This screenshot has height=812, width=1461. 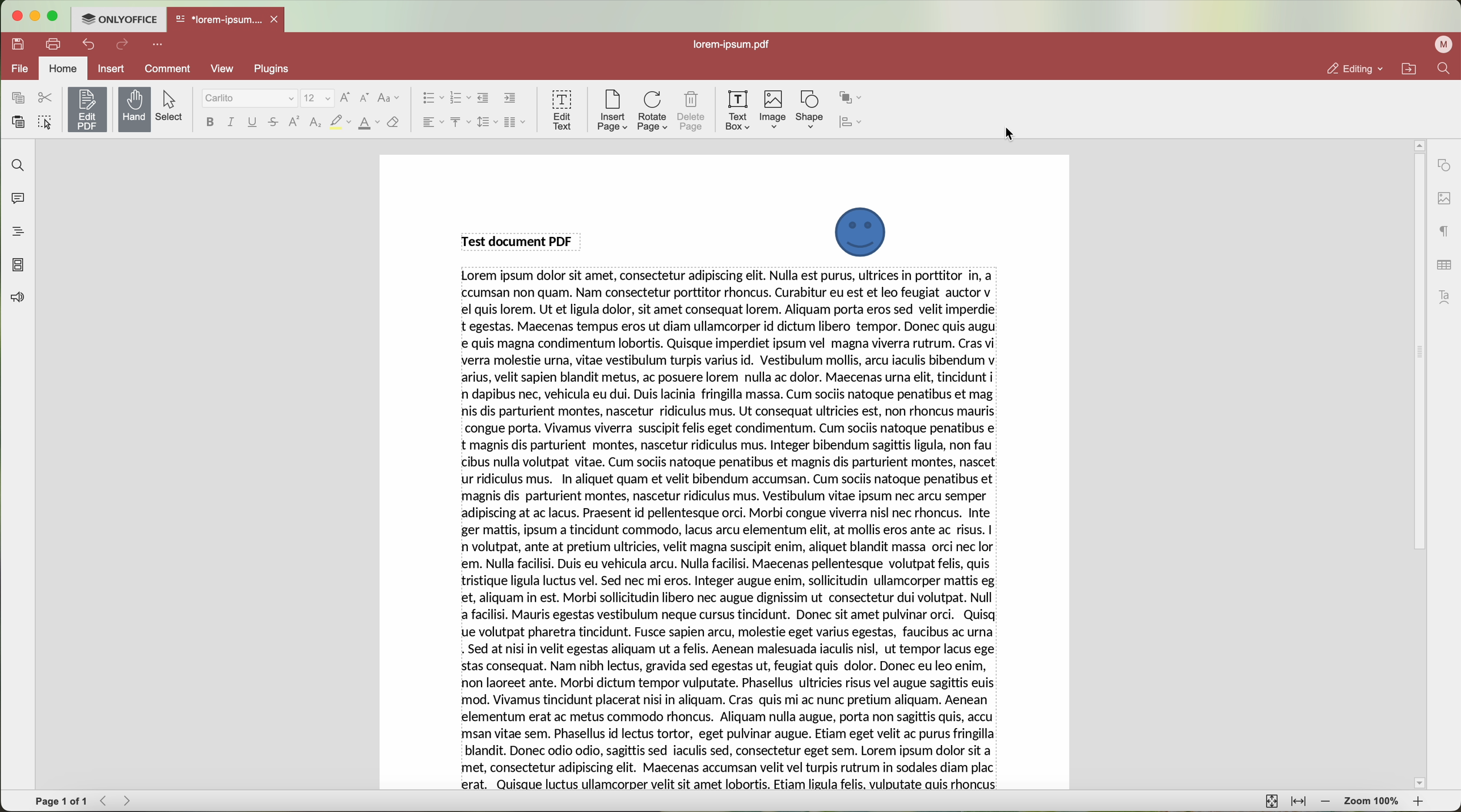 What do you see at coordinates (17, 201) in the screenshot?
I see `comments` at bounding box center [17, 201].